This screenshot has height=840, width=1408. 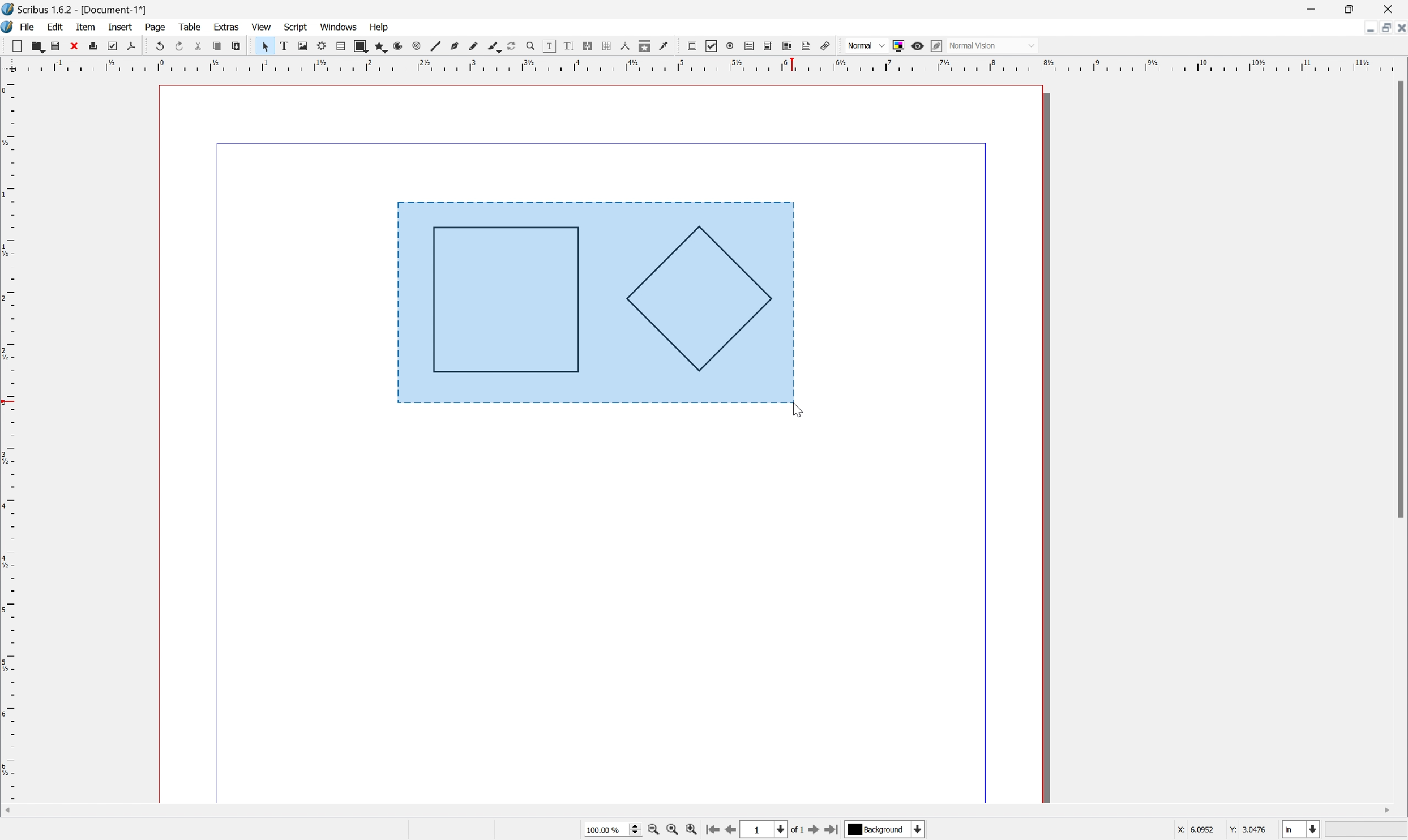 I want to click on rotate item, so click(x=510, y=46).